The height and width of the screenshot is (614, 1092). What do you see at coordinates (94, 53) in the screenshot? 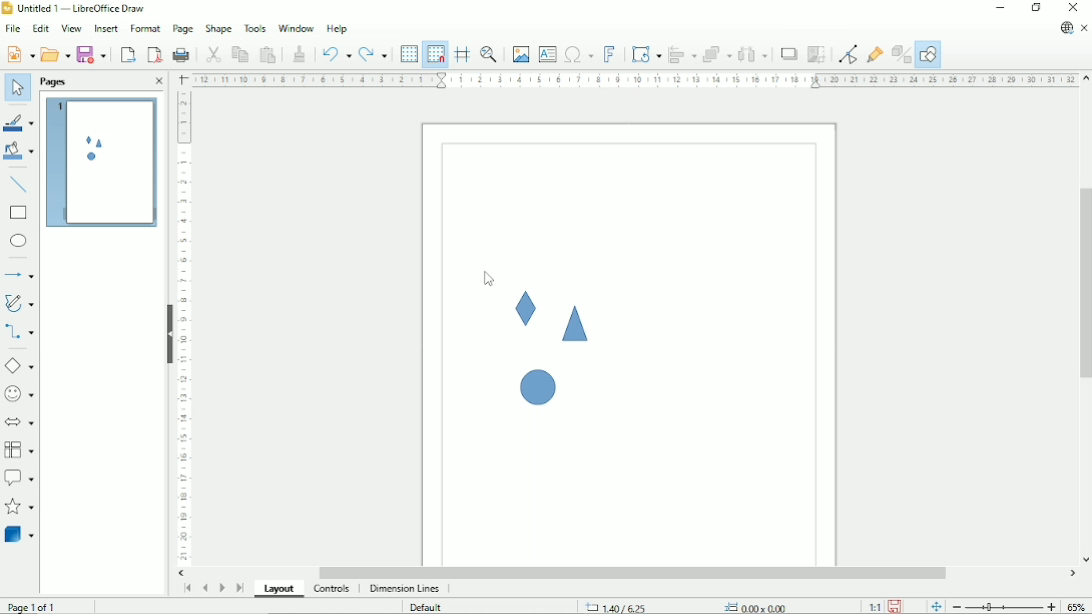
I see `Save` at bounding box center [94, 53].